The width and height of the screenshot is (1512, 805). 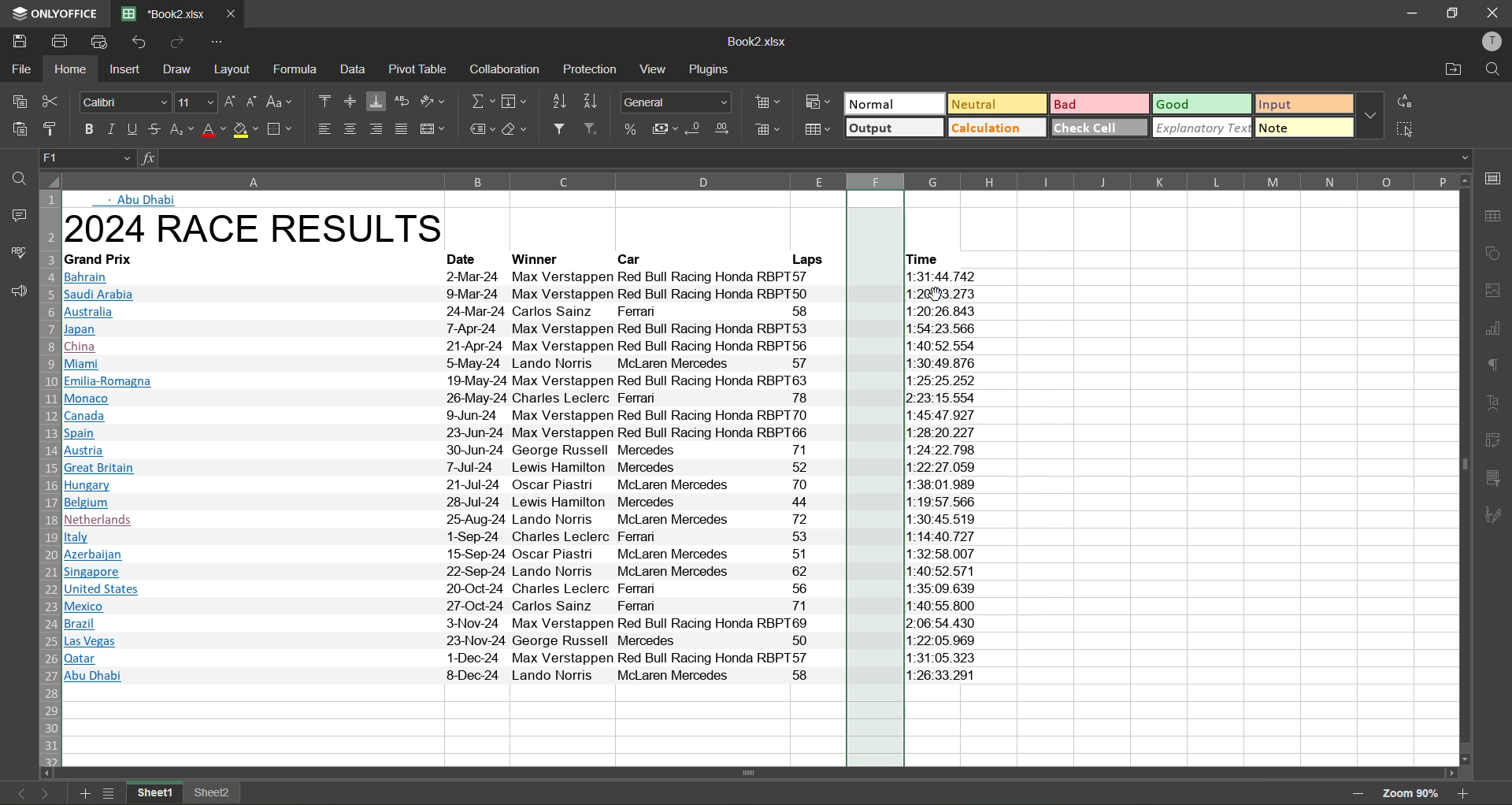 What do you see at coordinates (432, 127) in the screenshot?
I see `merge and center` at bounding box center [432, 127].